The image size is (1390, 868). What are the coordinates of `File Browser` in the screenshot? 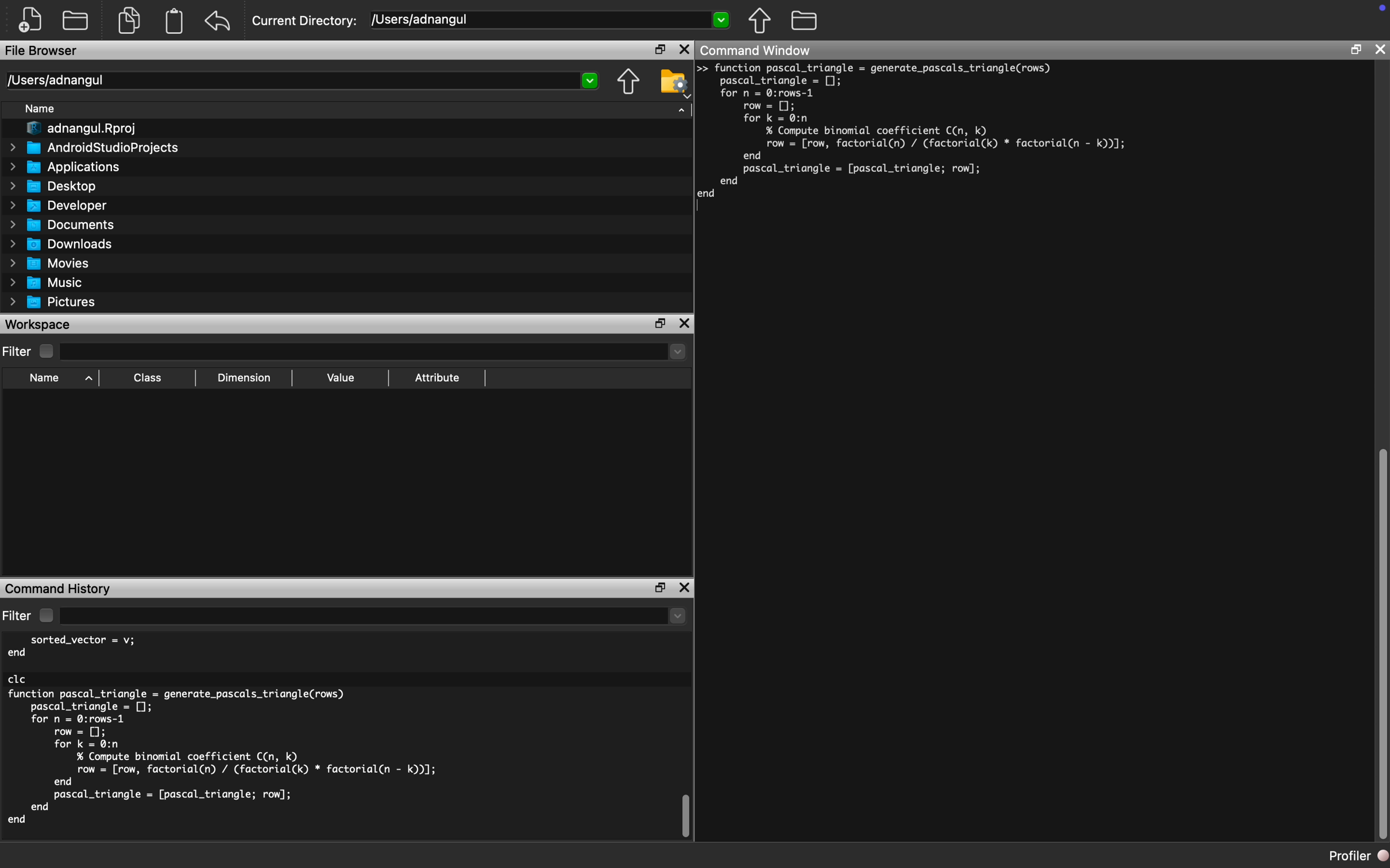 It's located at (45, 51).